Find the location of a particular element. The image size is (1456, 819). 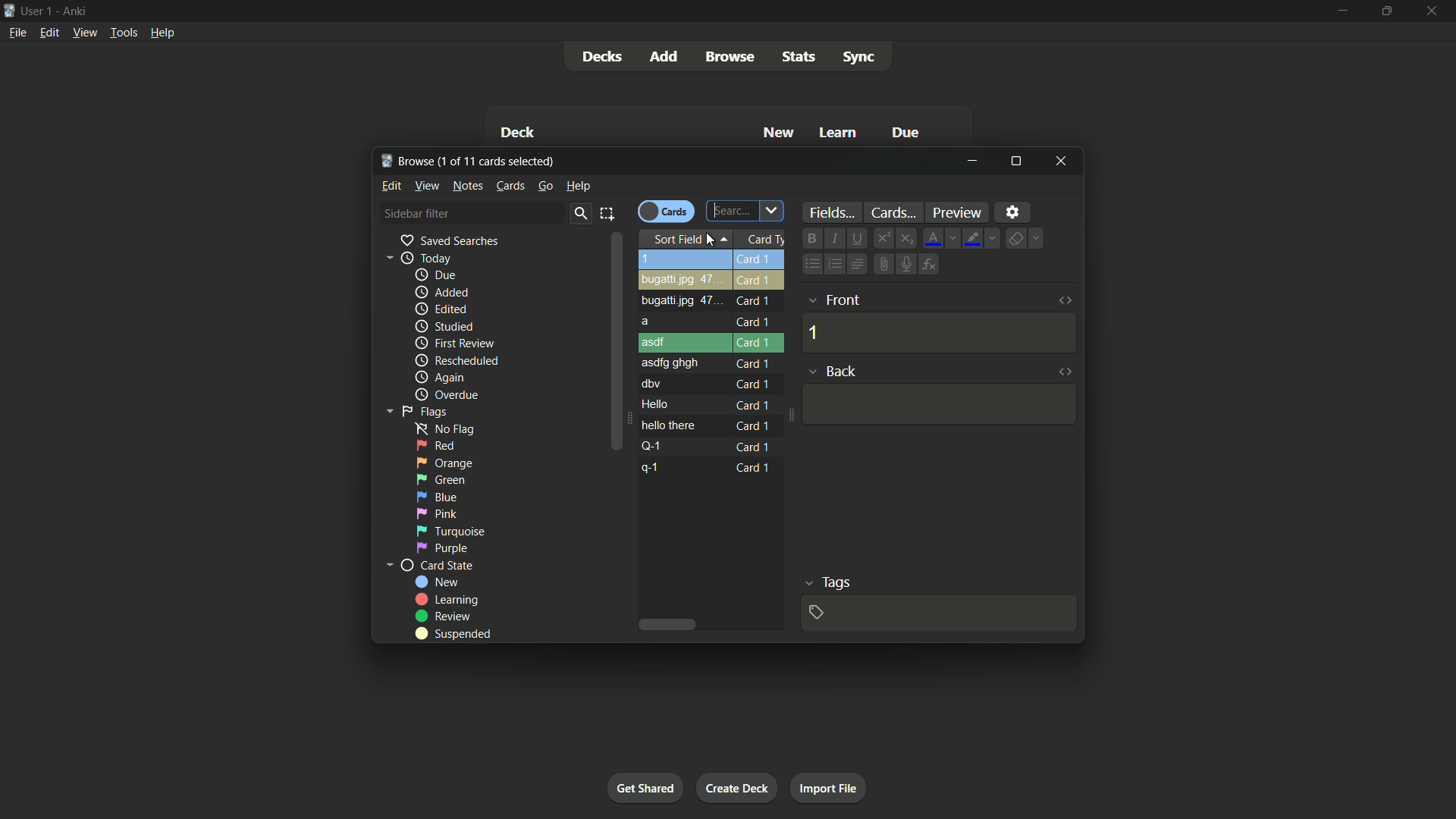

green is located at coordinates (444, 479).